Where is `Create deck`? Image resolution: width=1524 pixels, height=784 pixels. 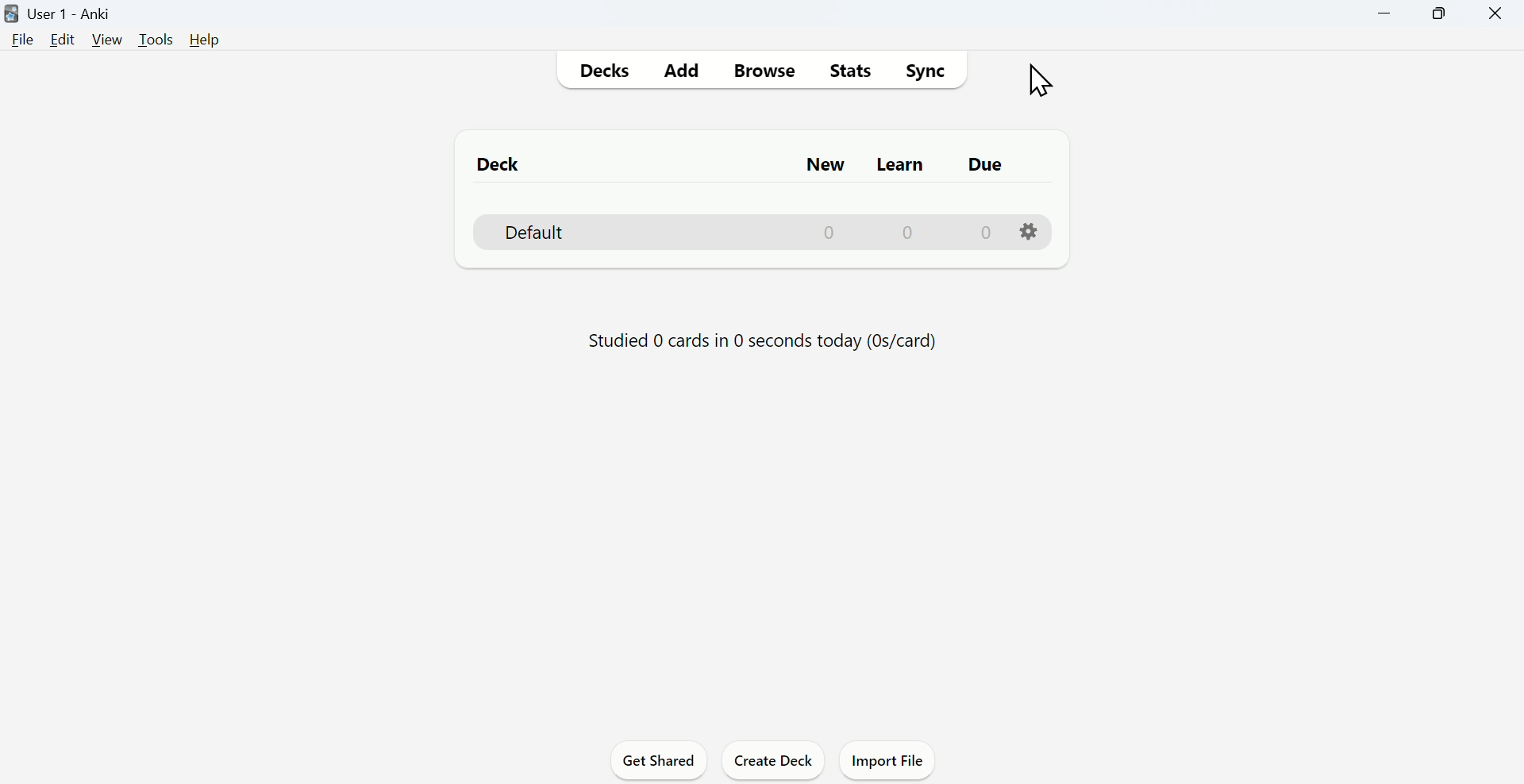 Create deck is located at coordinates (776, 762).